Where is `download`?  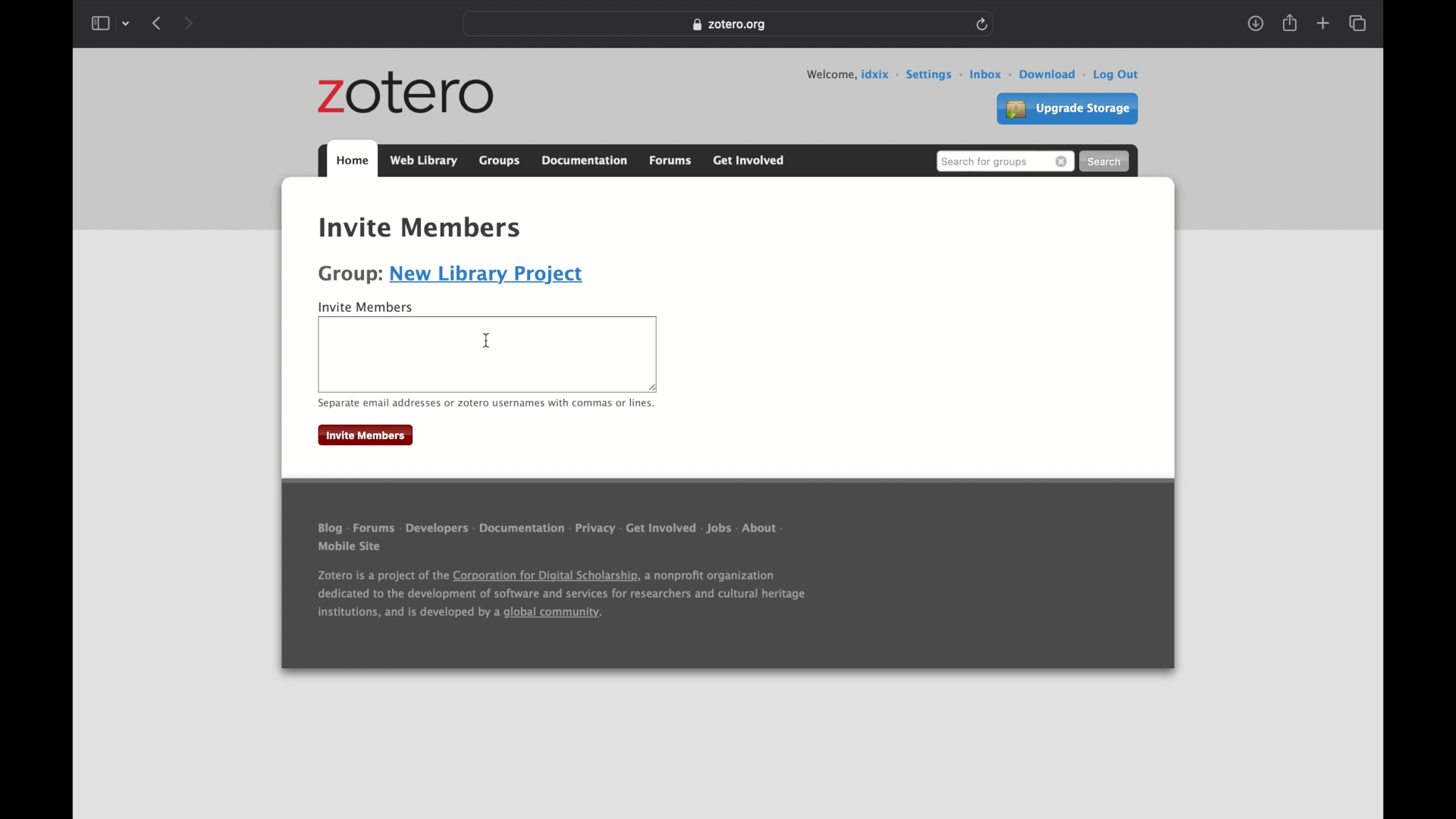 download is located at coordinates (1052, 74).